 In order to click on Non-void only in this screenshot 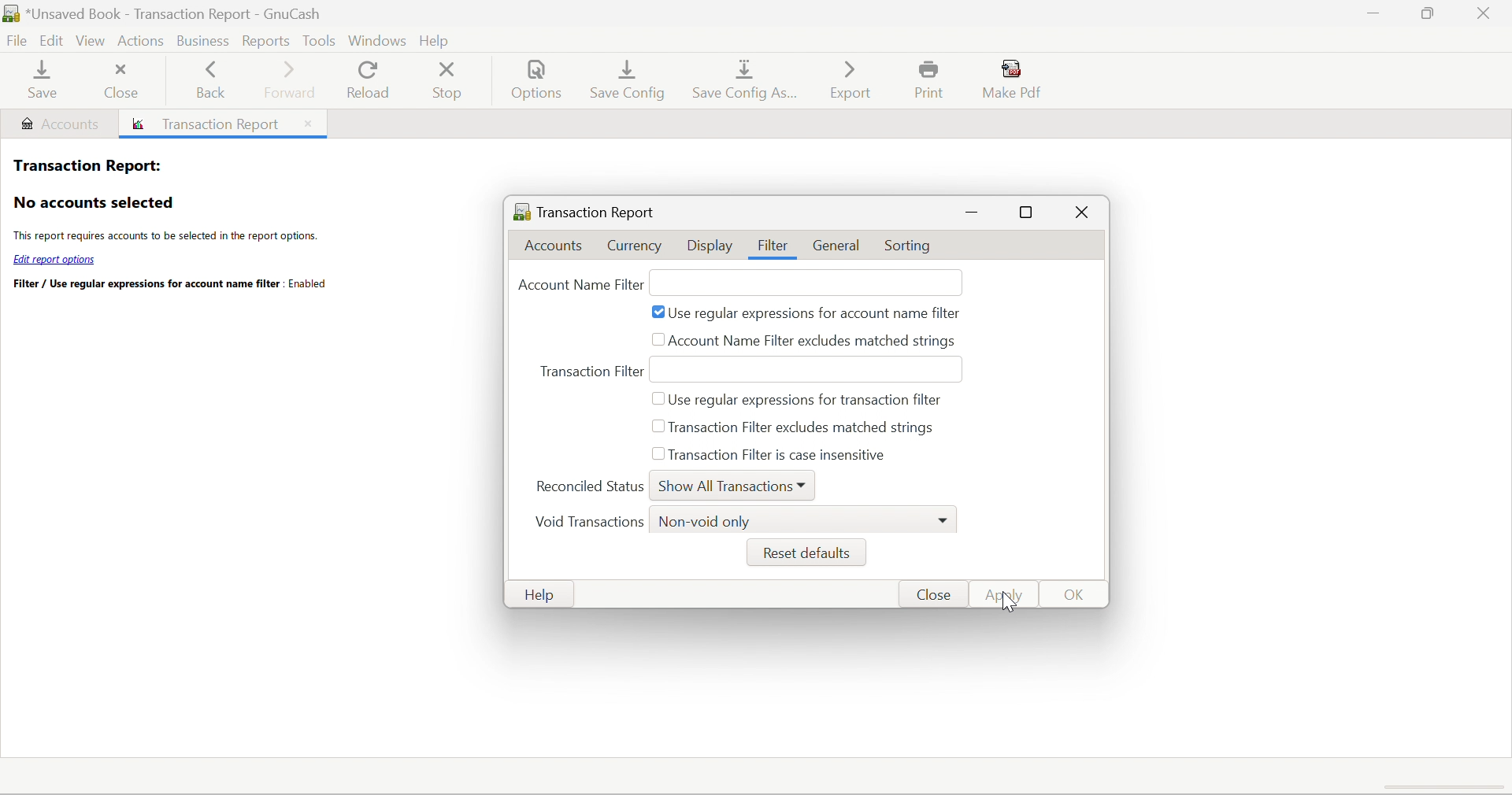, I will do `click(706, 523)`.